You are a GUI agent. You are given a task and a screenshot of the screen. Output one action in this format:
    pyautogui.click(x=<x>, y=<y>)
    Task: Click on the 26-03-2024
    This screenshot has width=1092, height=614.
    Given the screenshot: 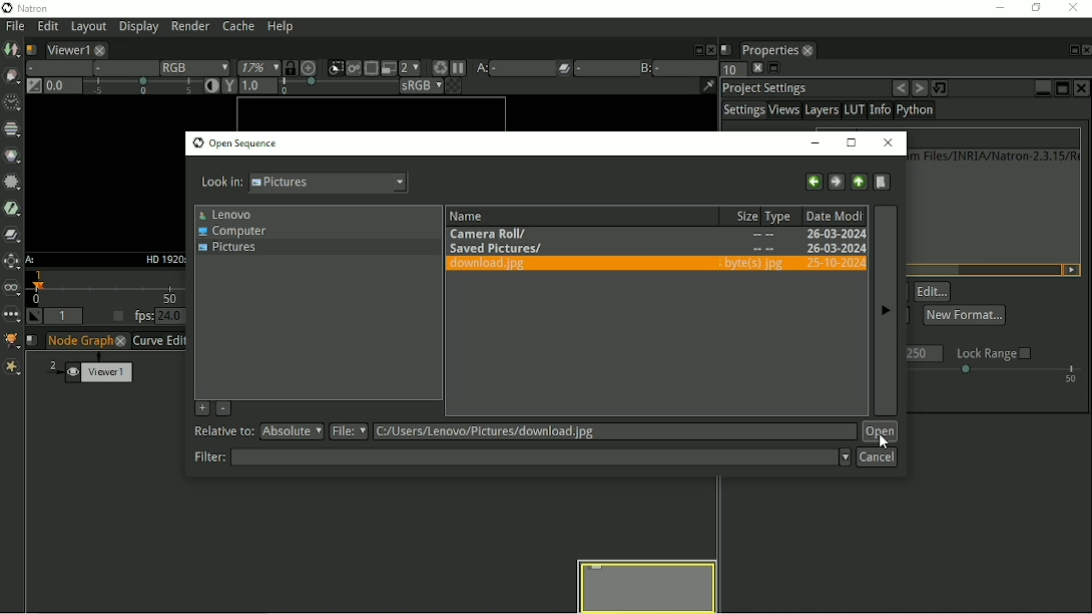 What is the action you would take?
    pyautogui.click(x=834, y=234)
    